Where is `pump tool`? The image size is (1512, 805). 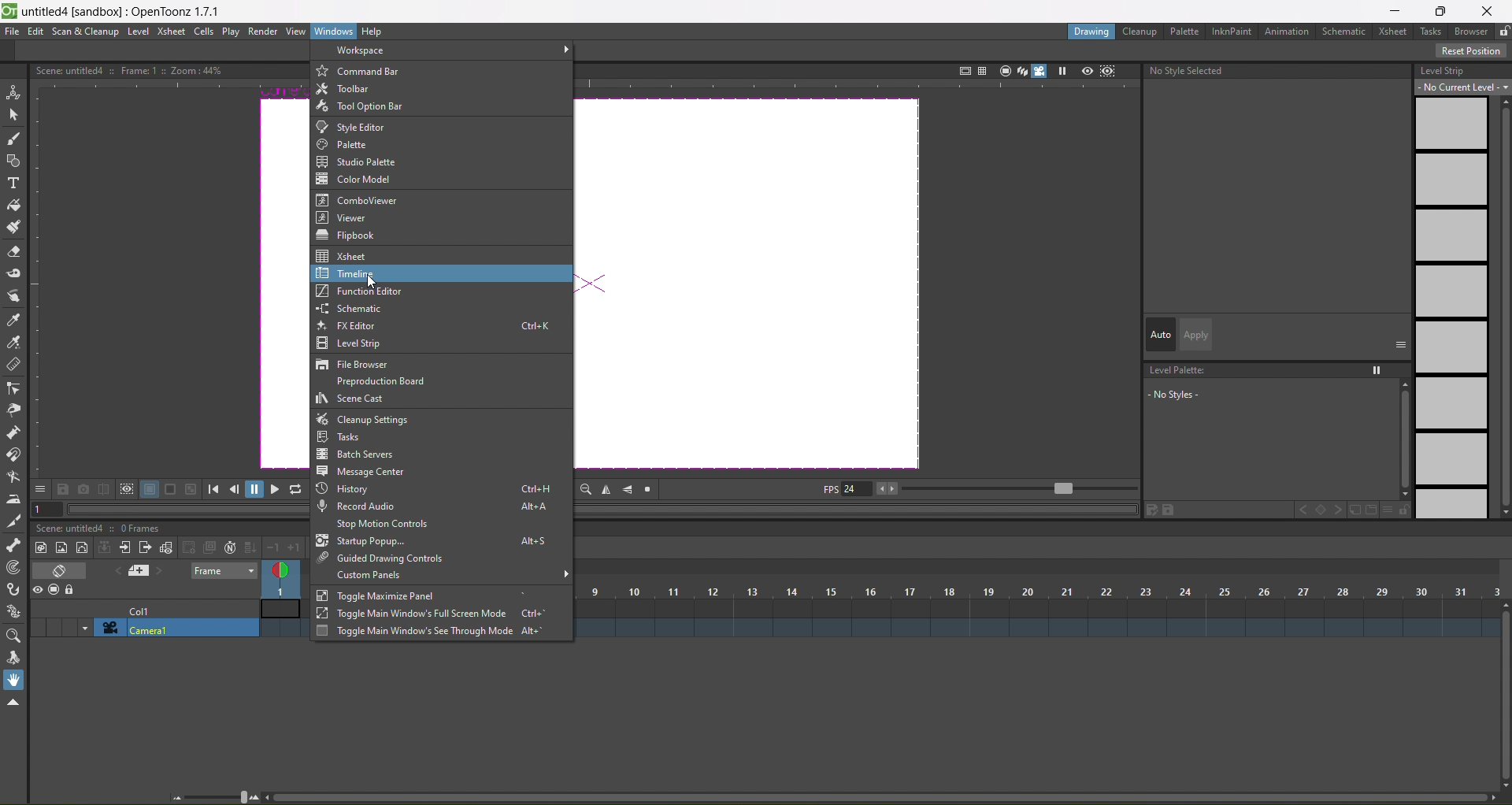
pump tool is located at coordinates (15, 432).